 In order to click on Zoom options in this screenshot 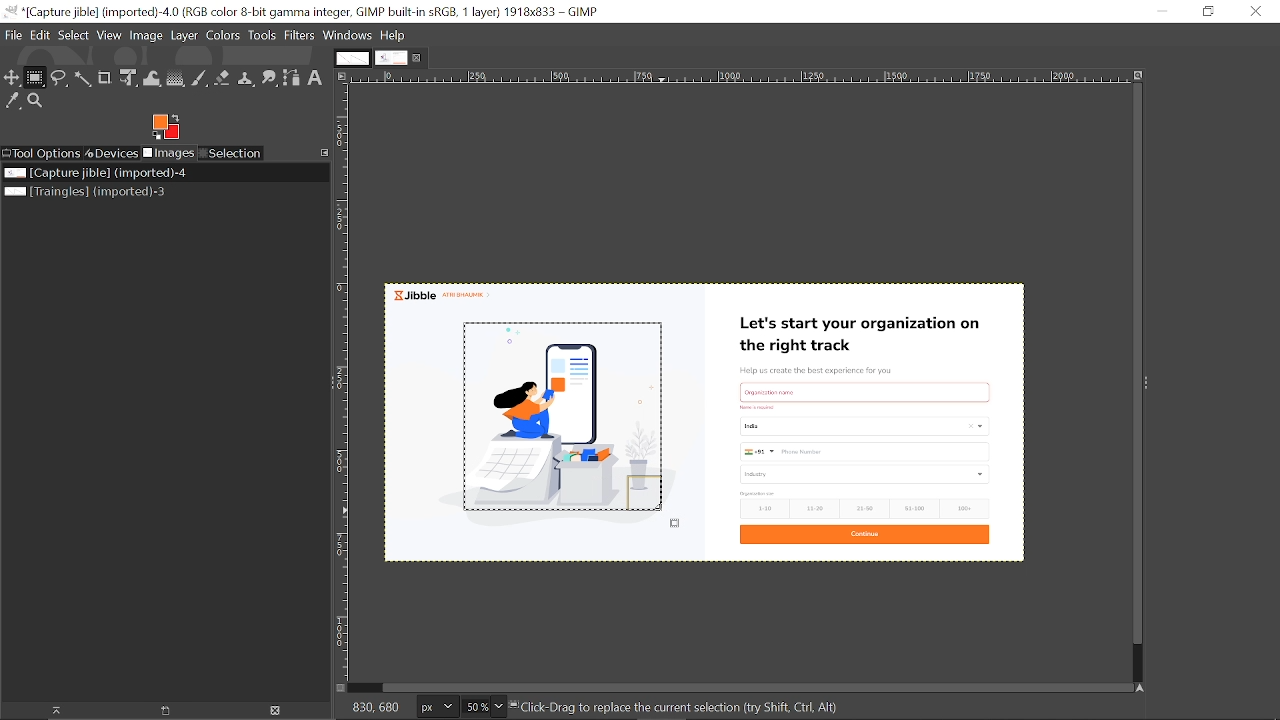, I will do `click(500, 705)`.